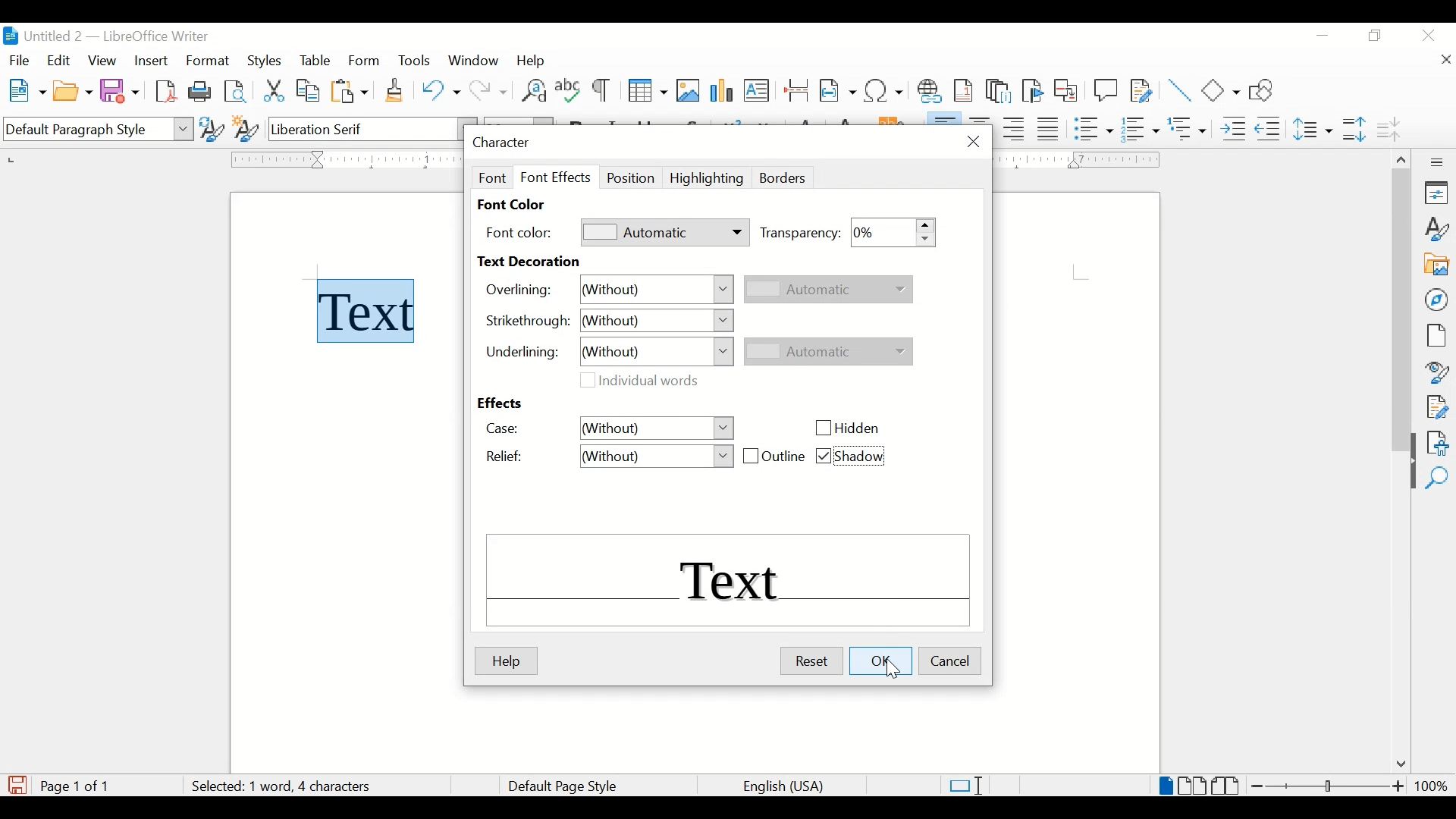 Image resolution: width=1456 pixels, height=819 pixels. I want to click on set line spacing, so click(1314, 129).